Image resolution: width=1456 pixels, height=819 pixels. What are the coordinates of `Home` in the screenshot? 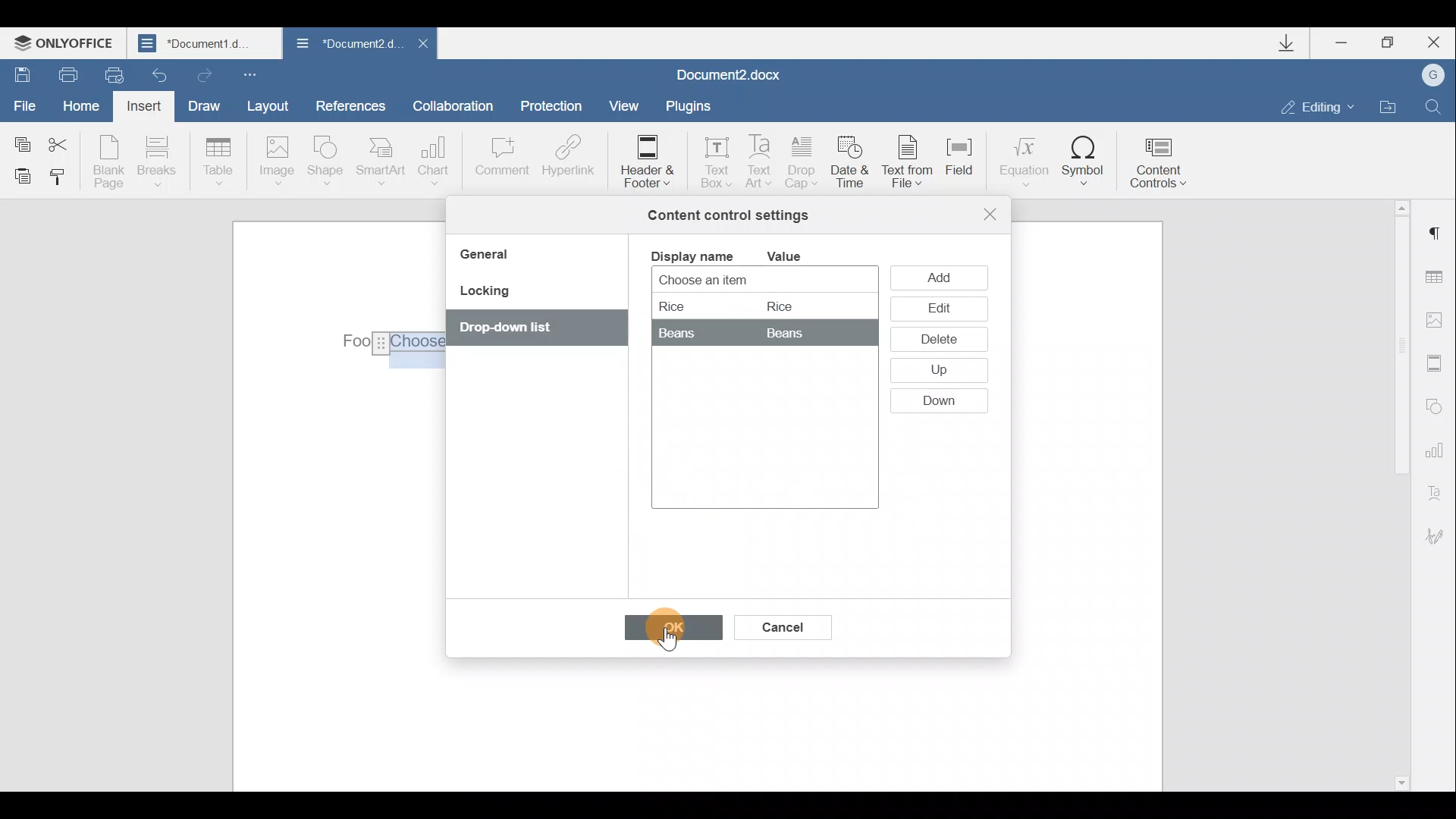 It's located at (86, 108).